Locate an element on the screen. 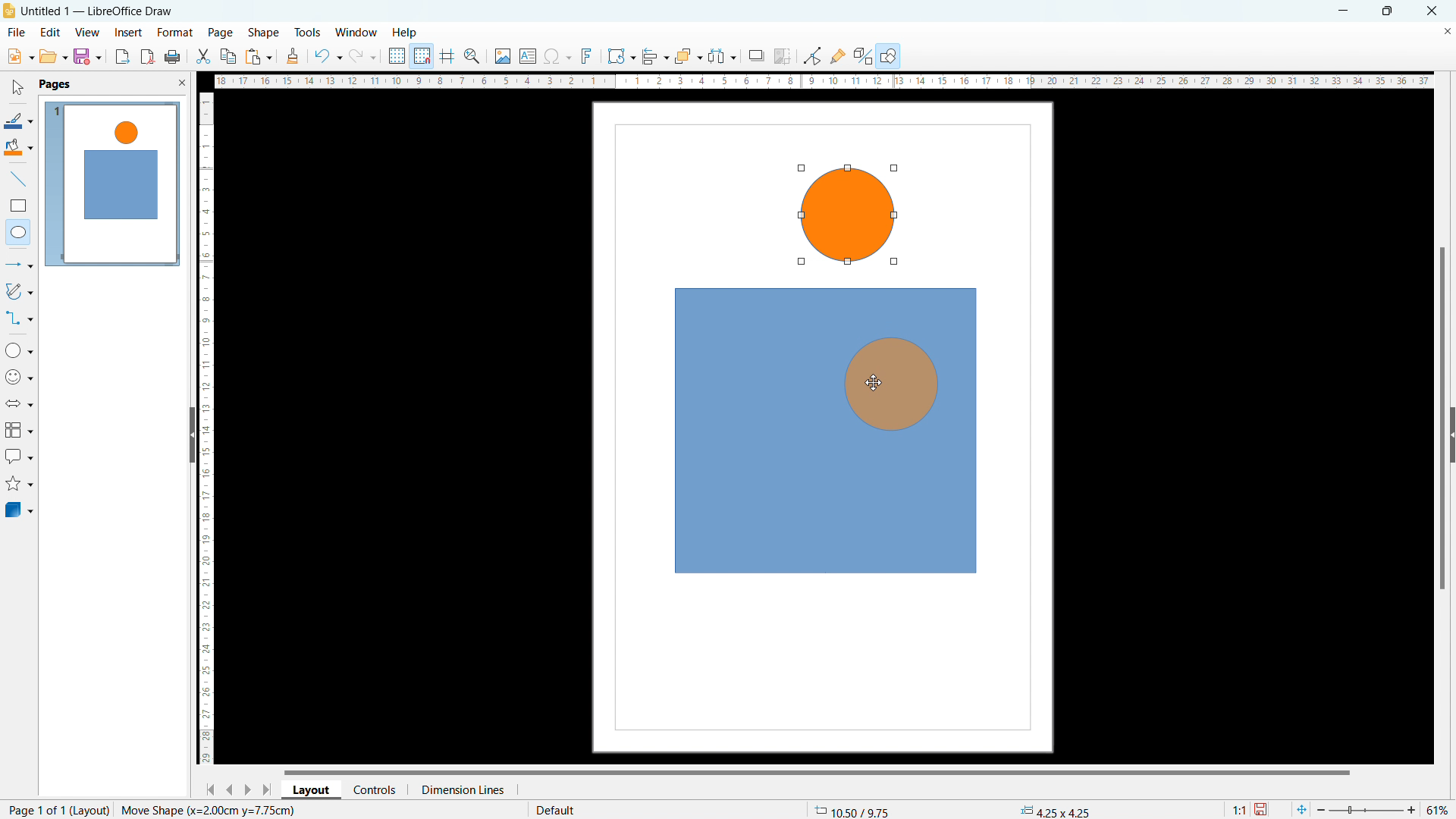 The width and height of the screenshot is (1456, 819). zoom i=out is located at coordinates (1323, 808).